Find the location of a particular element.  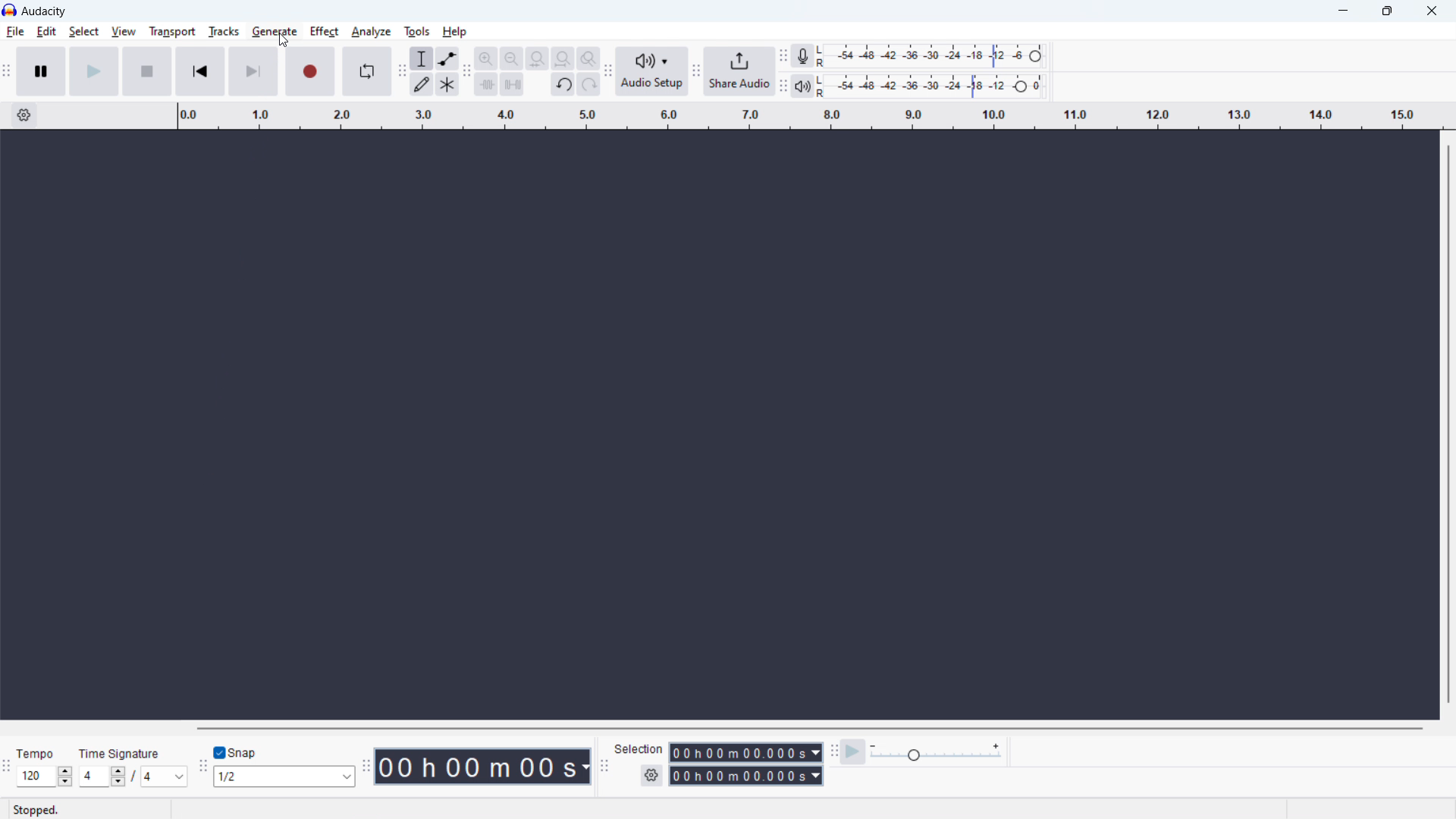

horizontal scrollbar is located at coordinates (807, 728).